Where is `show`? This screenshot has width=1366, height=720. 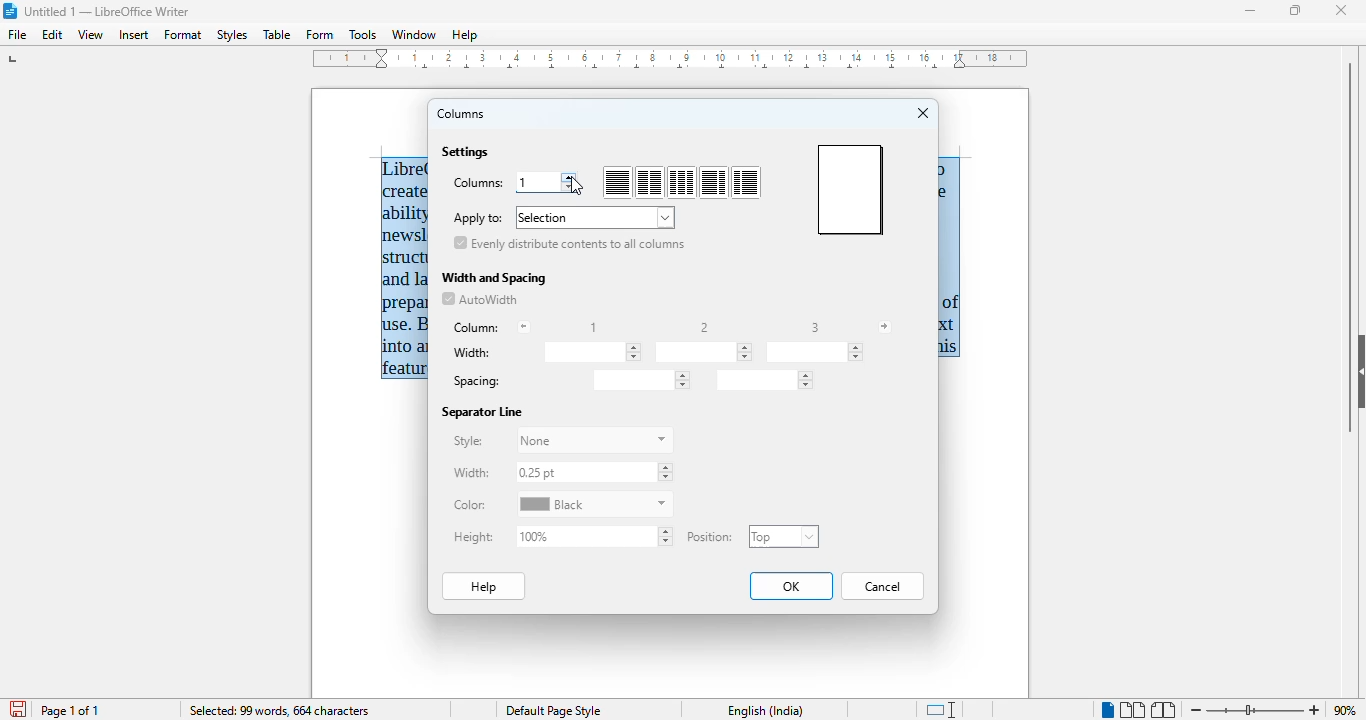
show is located at coordinates (1357, 370).